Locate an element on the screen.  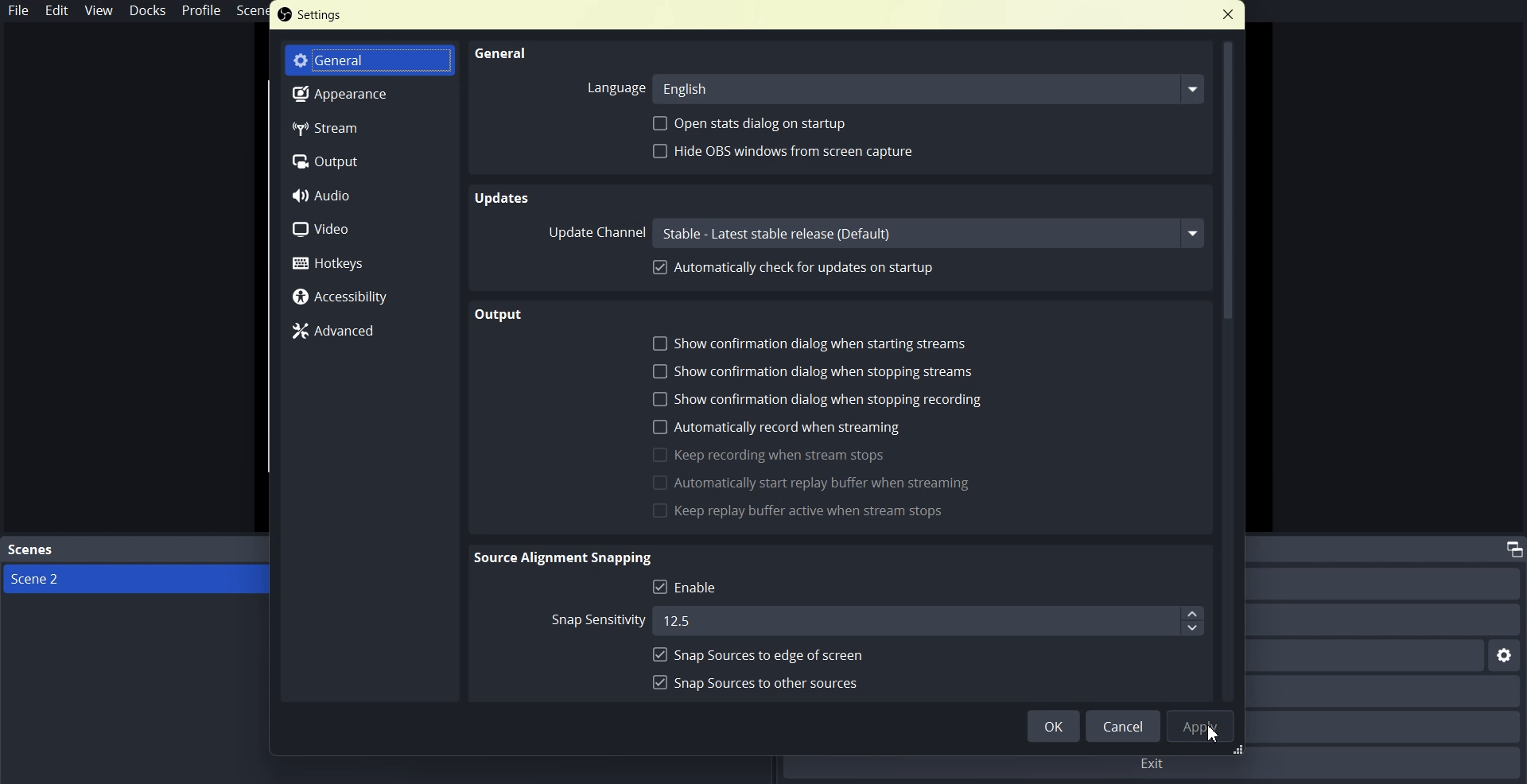
Vertical Scroll bar is located at coordinates (1230, 372).